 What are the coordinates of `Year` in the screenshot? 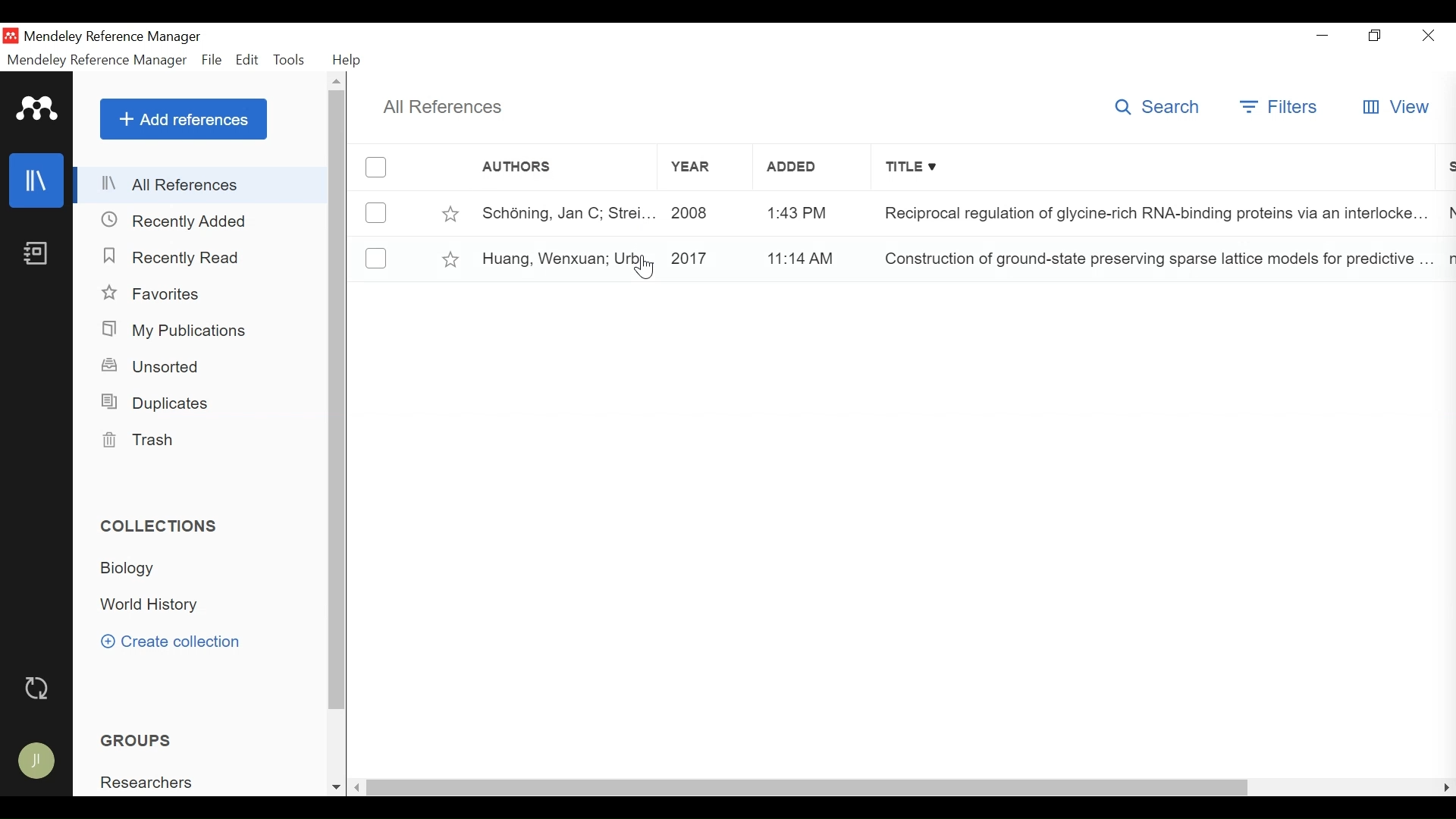 It's located at (703, 212).